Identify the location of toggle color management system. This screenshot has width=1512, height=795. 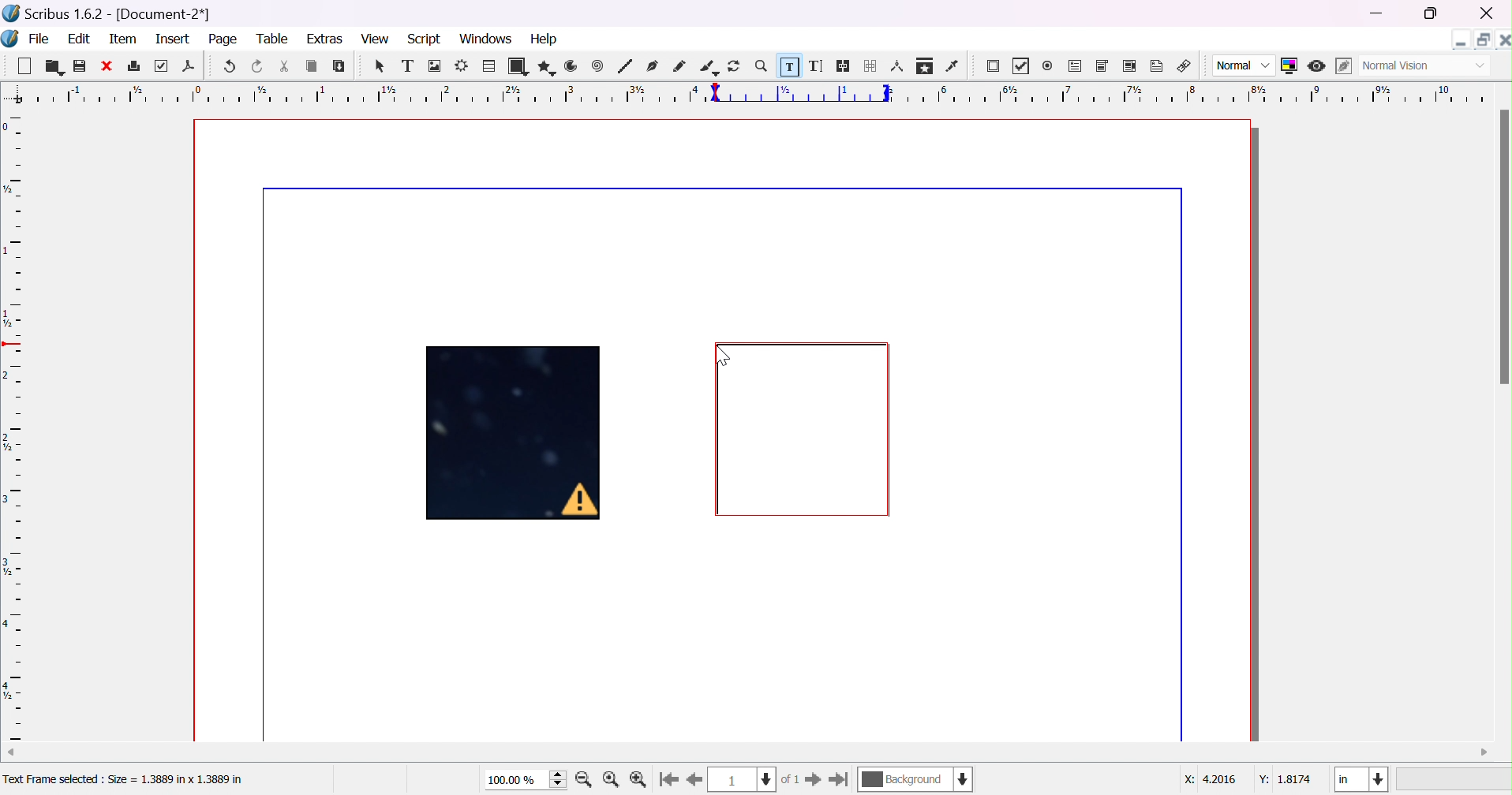
(1290, 65).